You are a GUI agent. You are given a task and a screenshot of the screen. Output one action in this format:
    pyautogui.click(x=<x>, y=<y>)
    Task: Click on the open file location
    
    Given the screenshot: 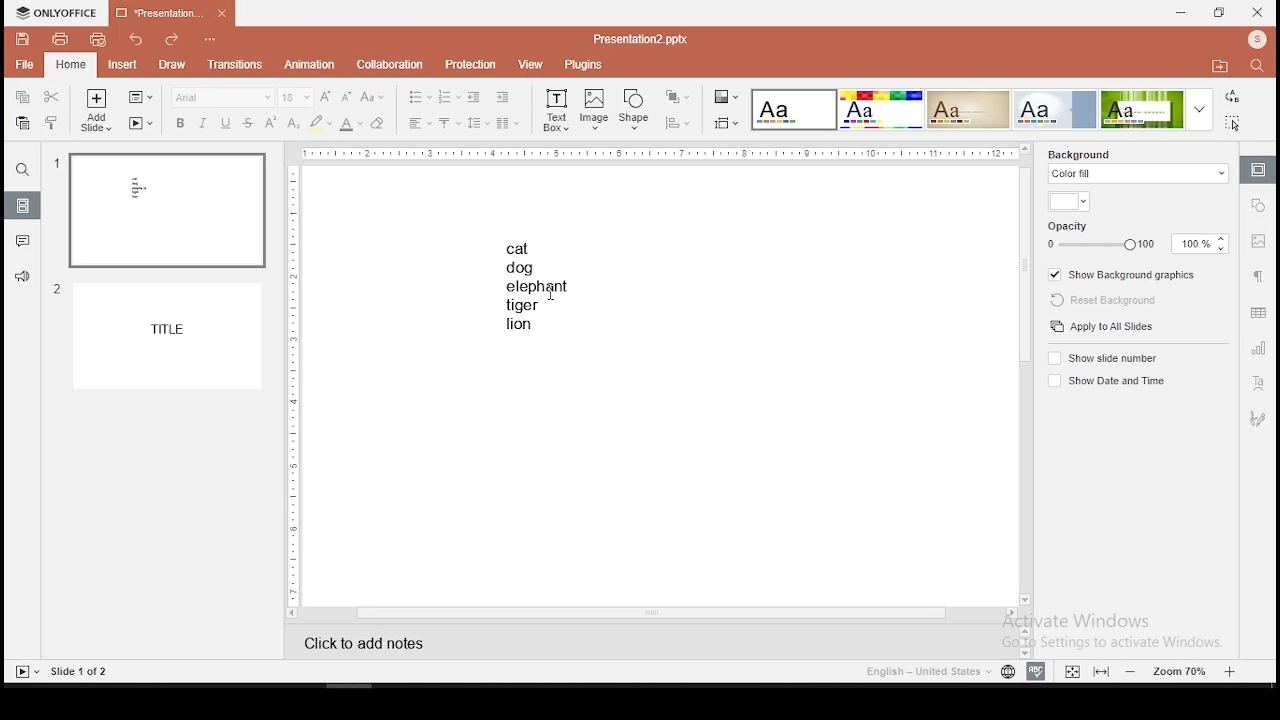 What is the action you would take?
    pyautogui.click(x=1217, y=66)
    